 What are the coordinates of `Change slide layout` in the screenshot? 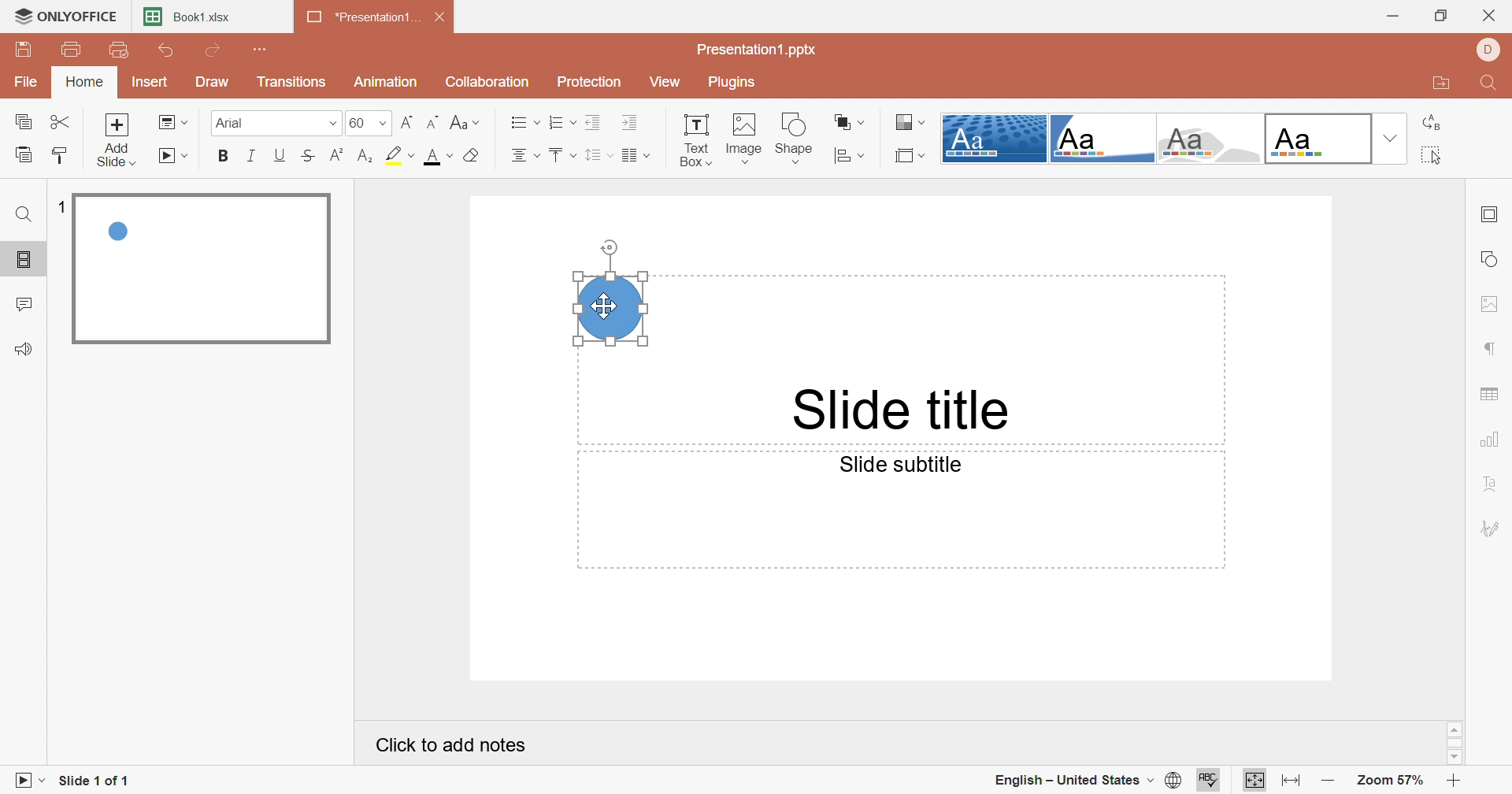 It's located at (172, 121).